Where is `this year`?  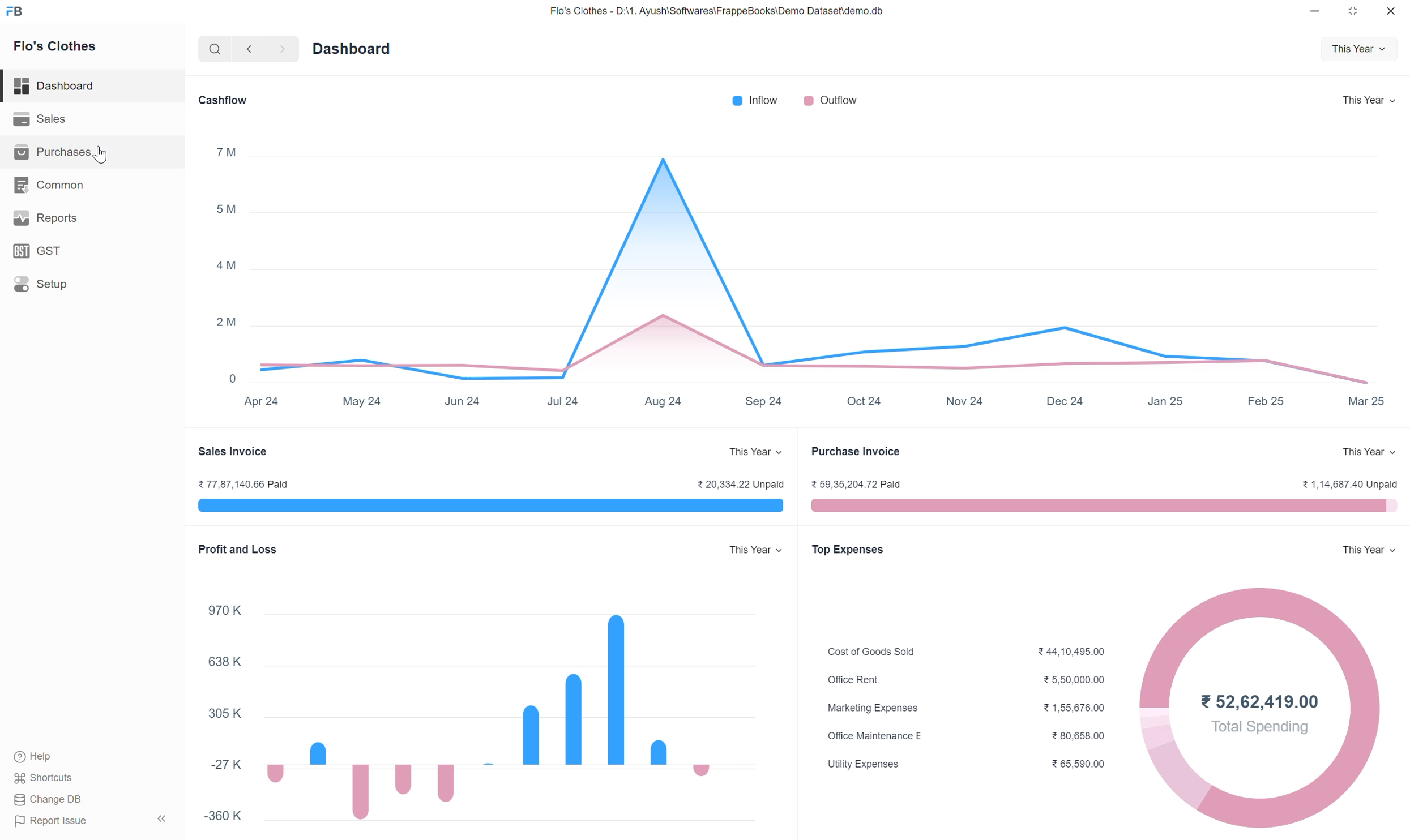
this year is located at coordinates (755, 550).